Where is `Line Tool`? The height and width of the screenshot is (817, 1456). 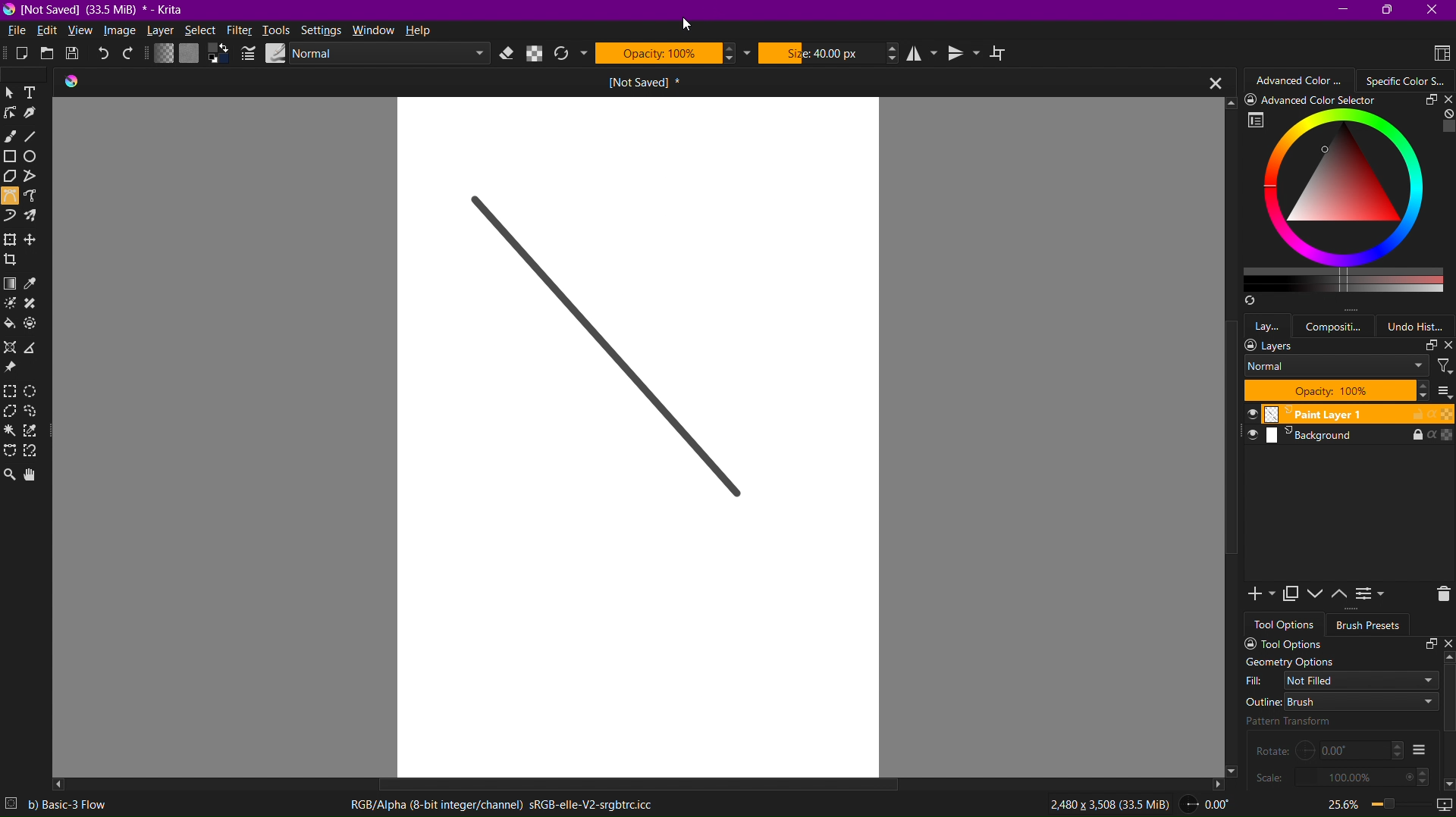 Line Tool is located at coordinates (36, 138).